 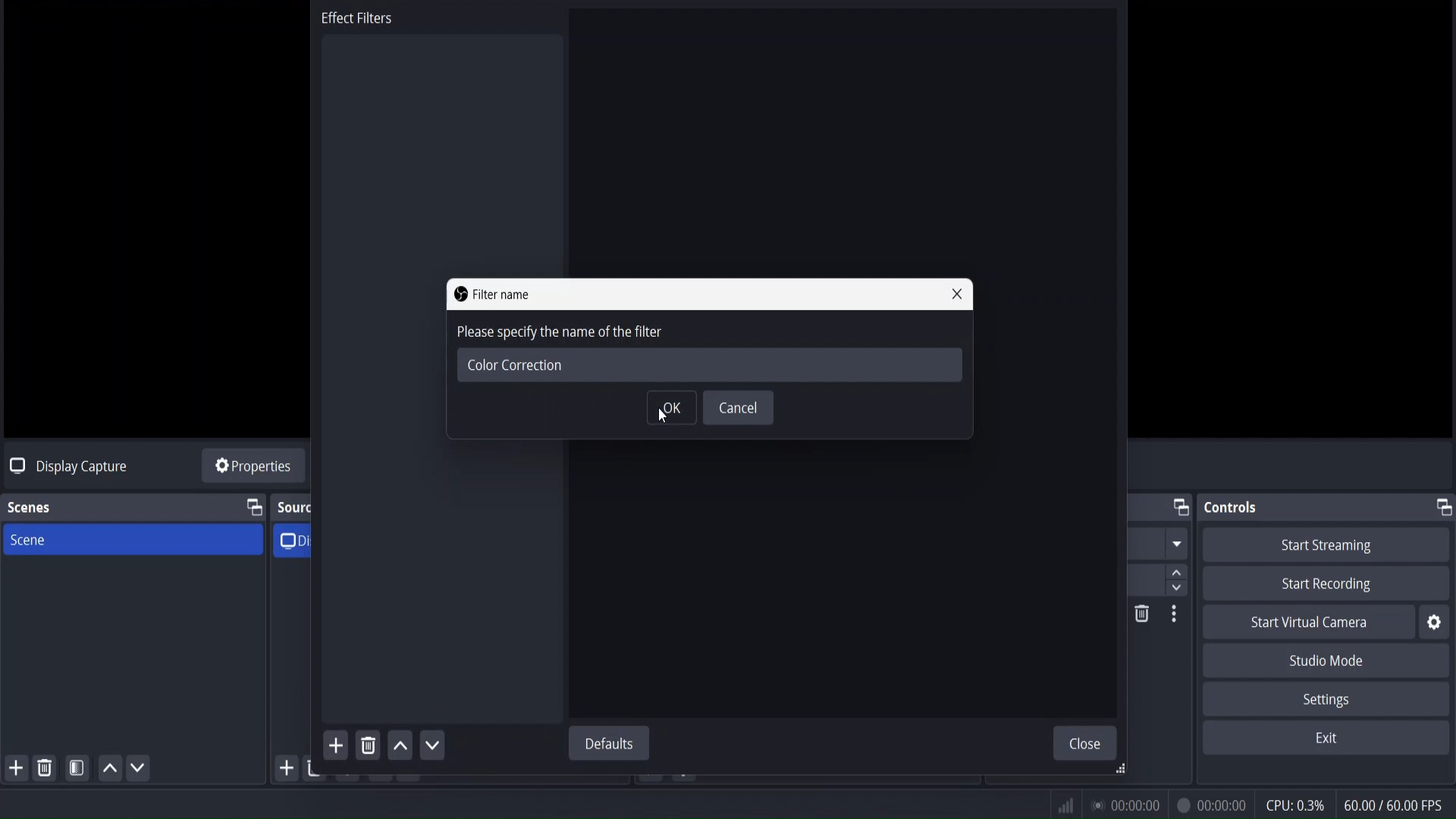 What do you see at coordinates (1395, 805) in the screenshot?
I see `fps` at bounding box center [1395, 805].